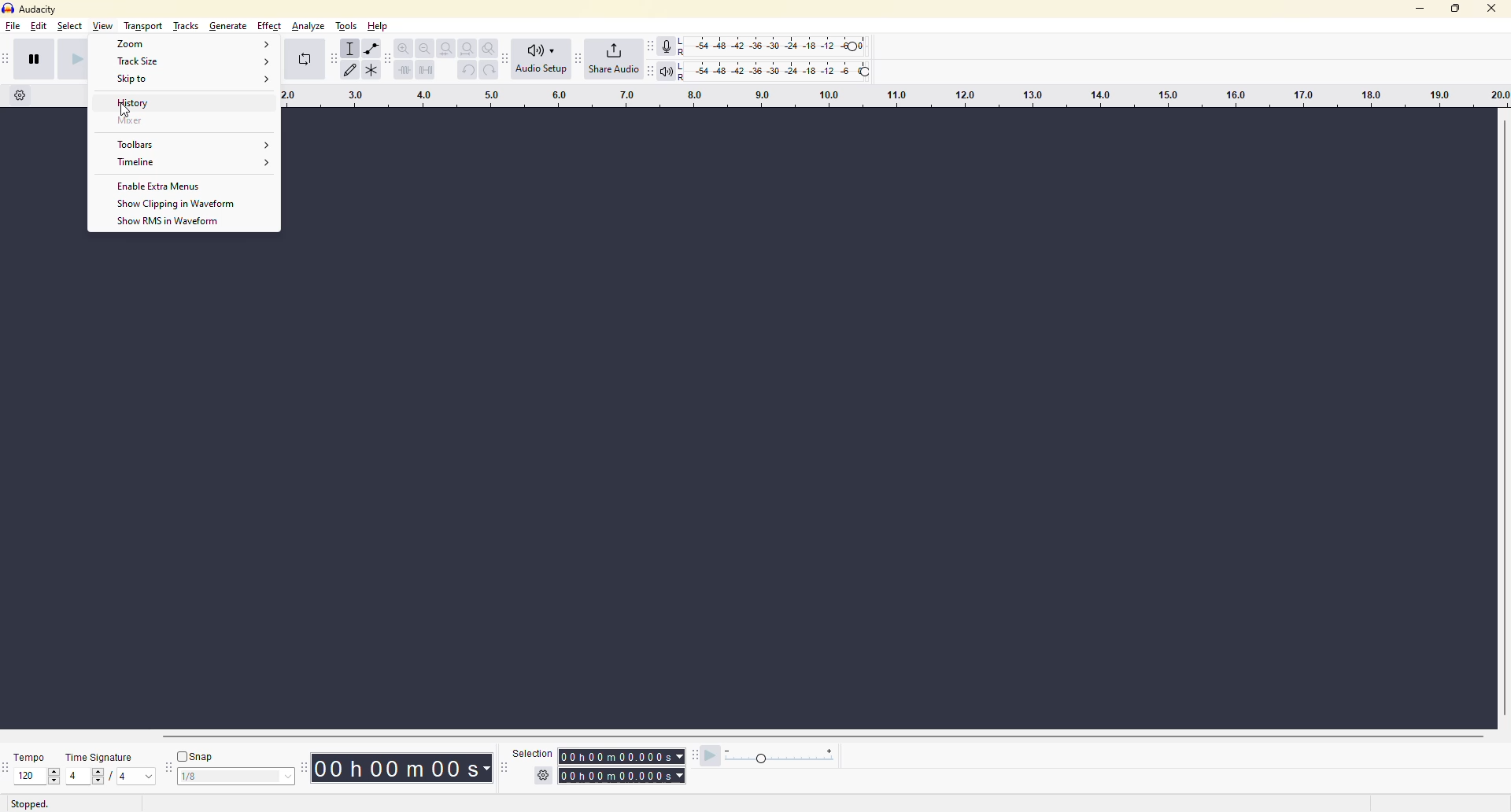  I want to click on maximize, so click(1457, 13).